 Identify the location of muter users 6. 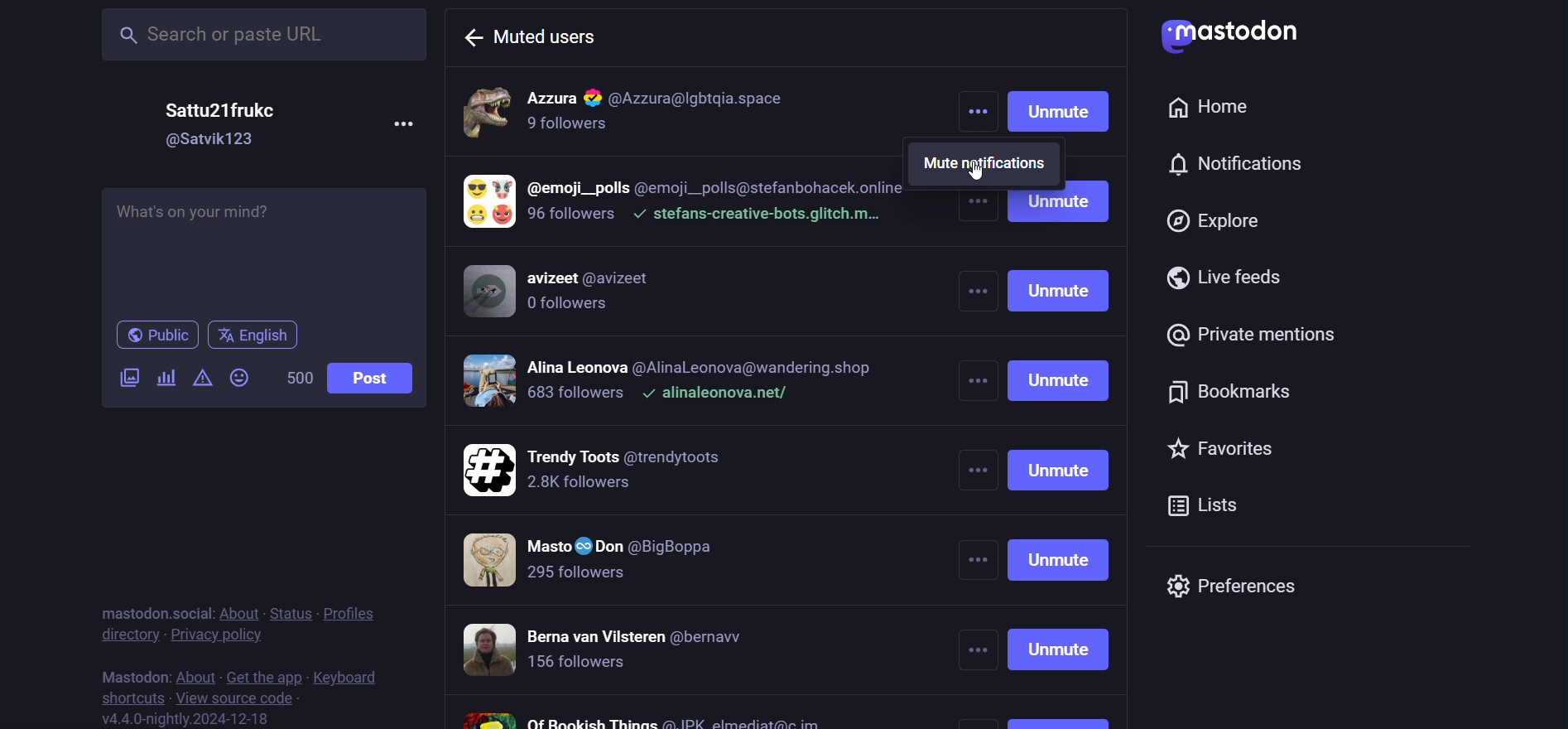
(606, 560).